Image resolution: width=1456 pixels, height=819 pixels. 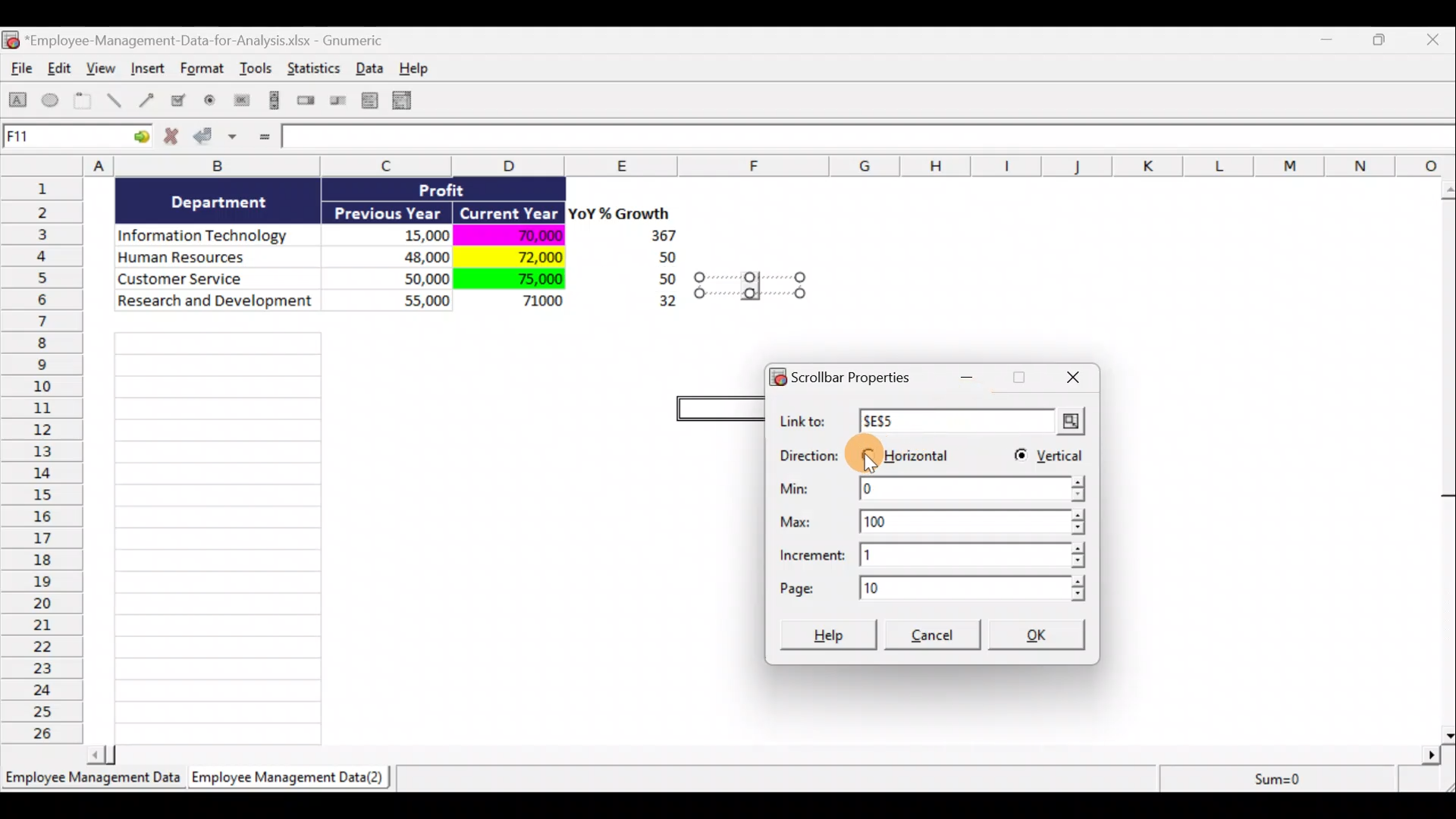 I want to click on File, so click(x=18, y=71).